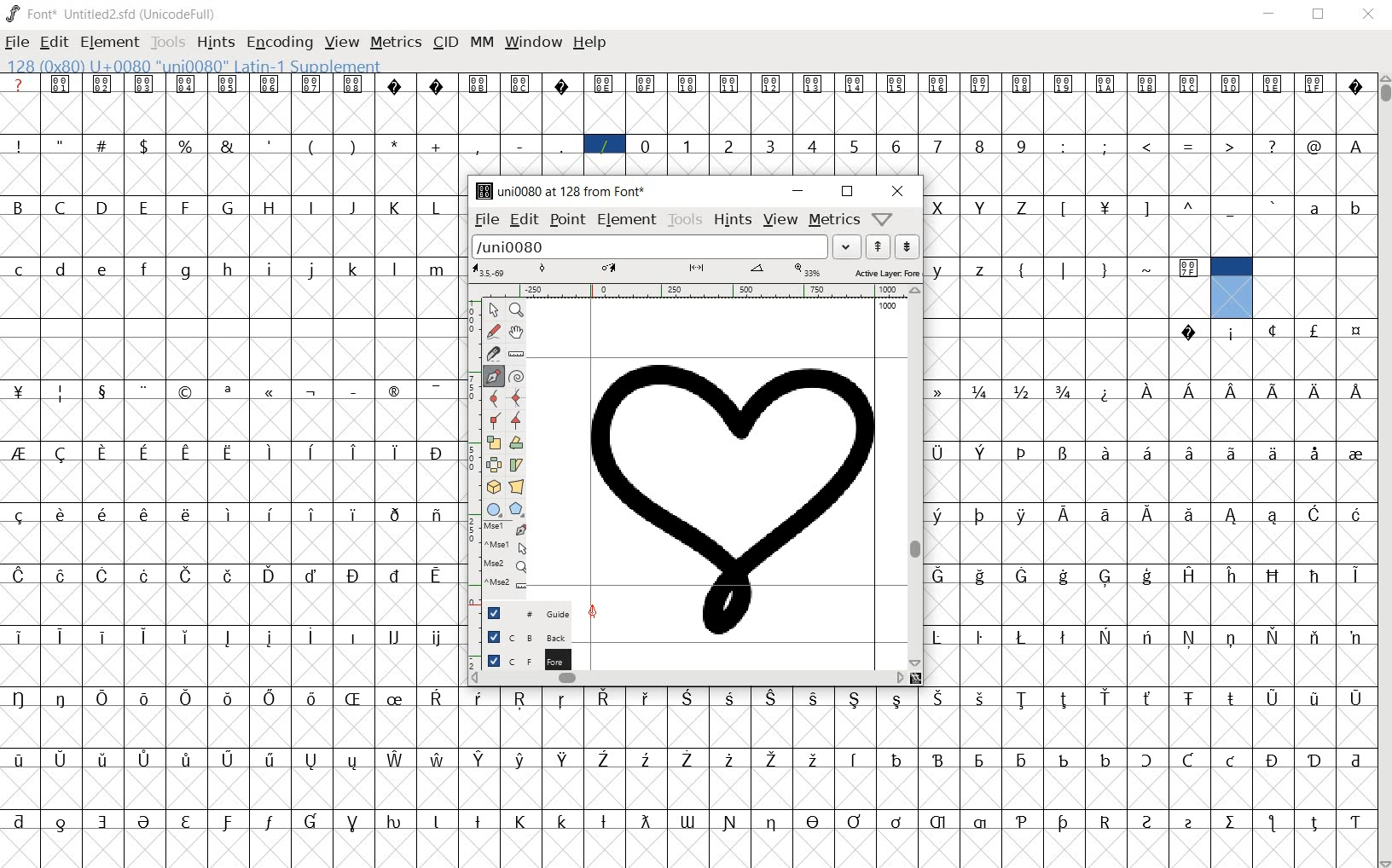 This screenshot has width=1392, height=868. What do you see at coordinates (394, 576) in the screenshot?
I see `glyph` at bounding box center [394, 576].